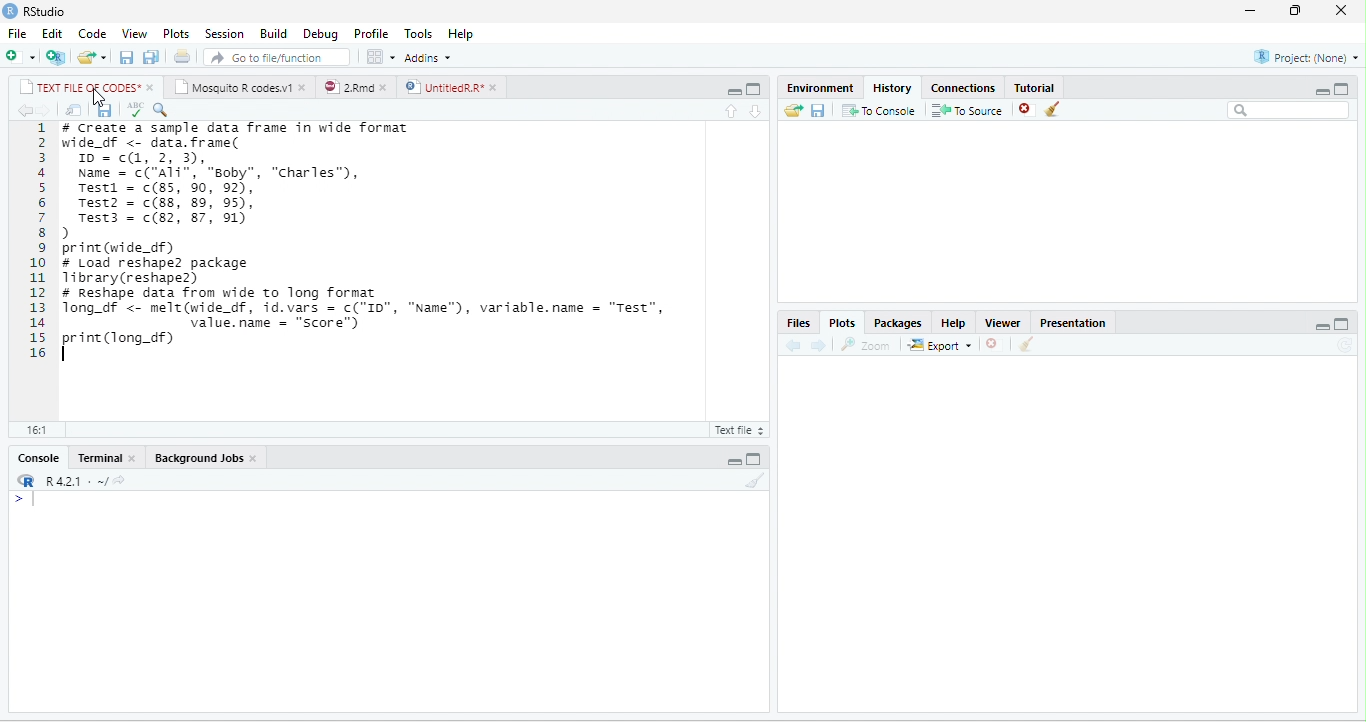 The image size is (1366, 722). What do you see at coordinates (38, 457) in the screenshot?
I see `Console` at bounding box center [38, 457].